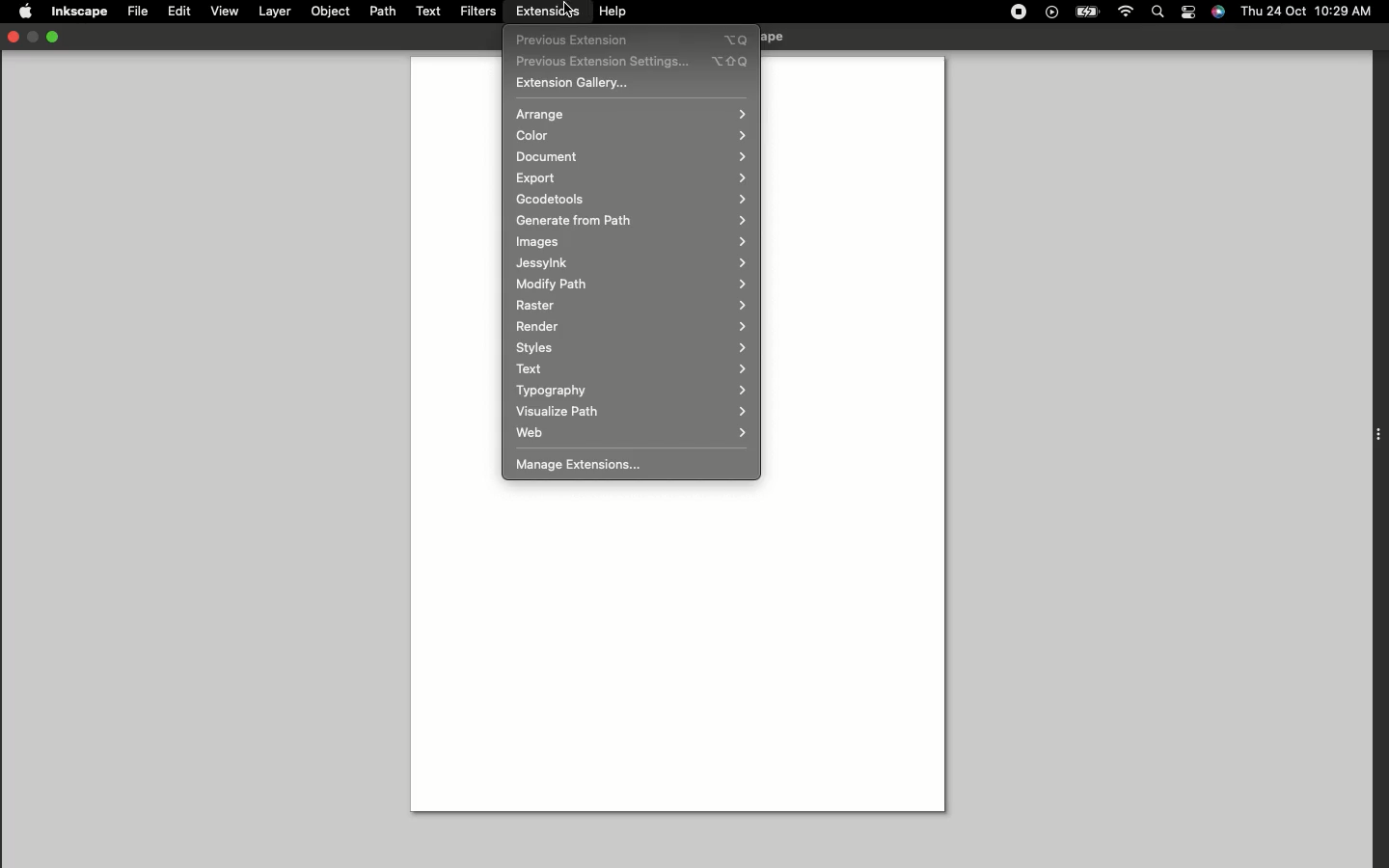 Image resolution: width=1389 pixels, height=868 pixels. What do you see at coordinates (633, 326) in the screenshot?
I see `Render` at bounding box center [633, 326].